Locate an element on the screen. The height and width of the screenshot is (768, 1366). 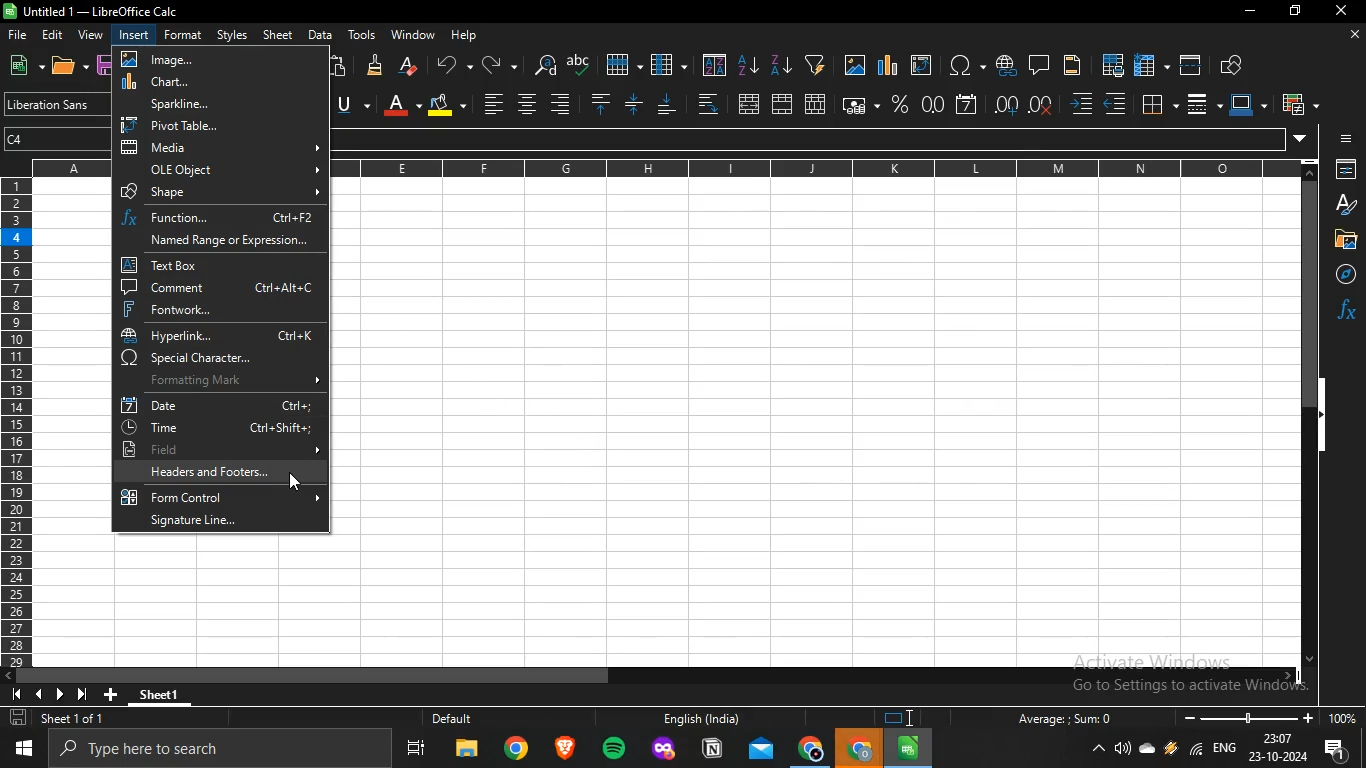
view is located at coordinates (90, 35).